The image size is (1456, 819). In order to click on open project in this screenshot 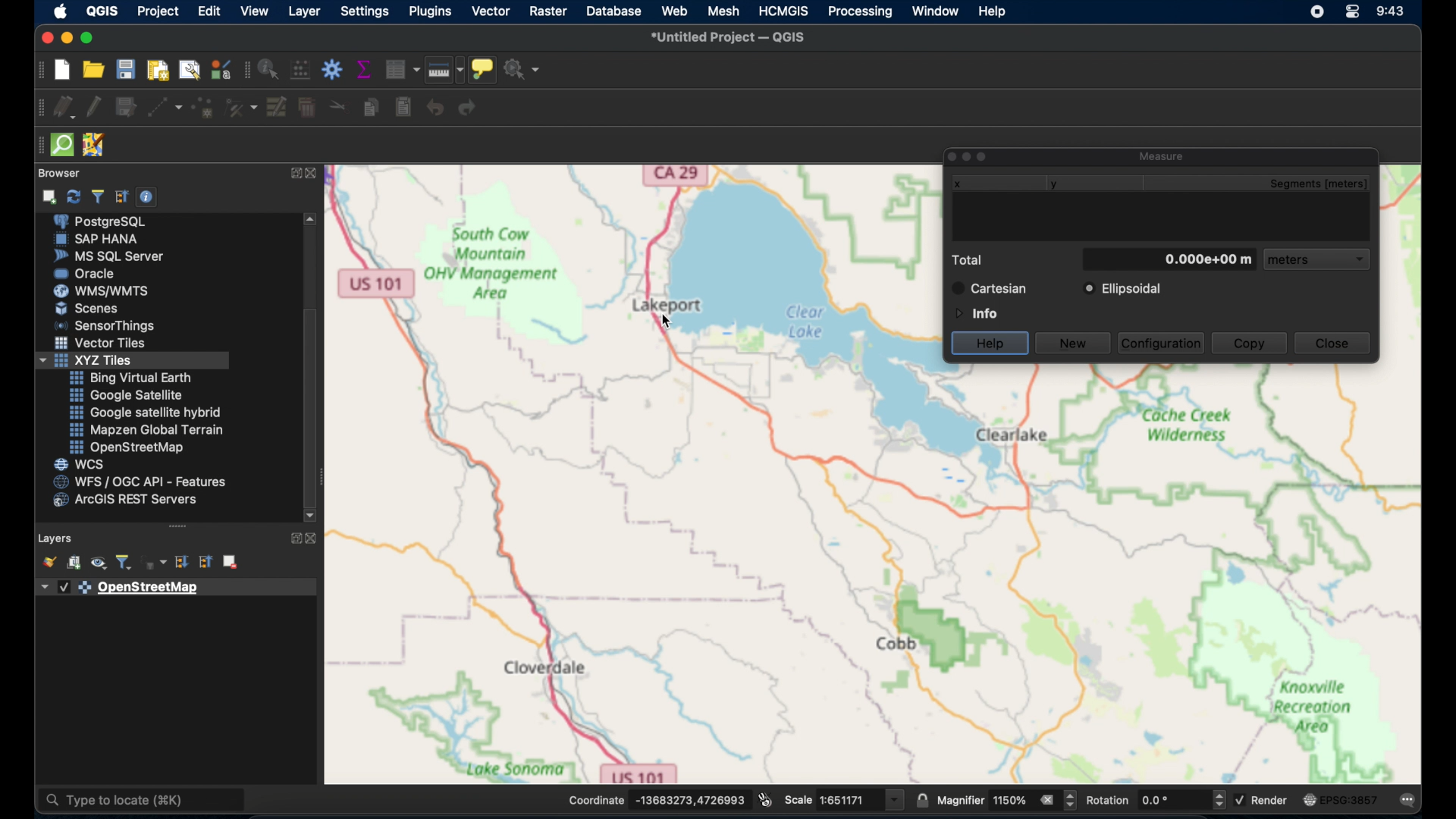, I will do `click(96, 71)`.